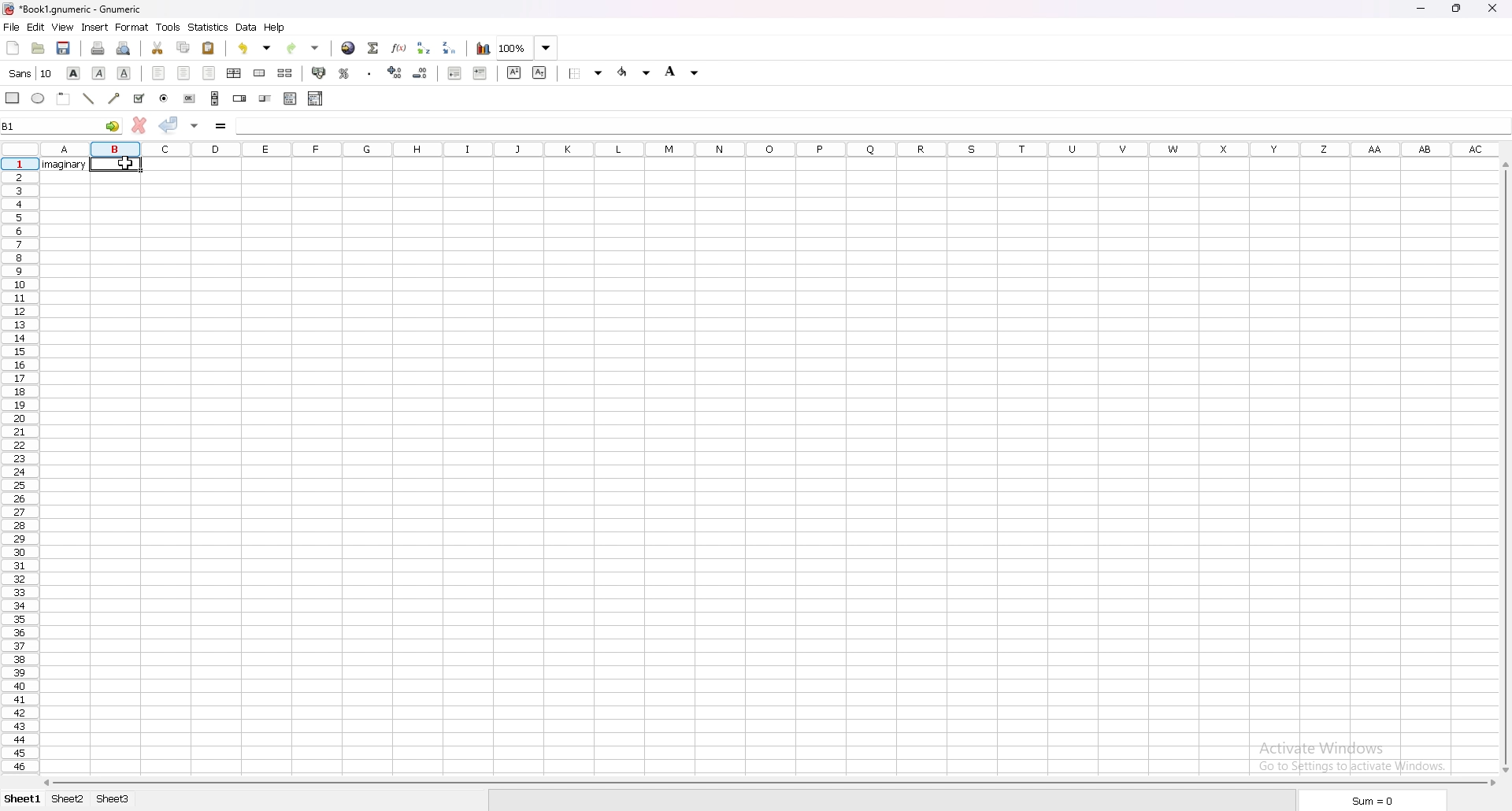 The image size is (1512, 811). What do you see at coordinates (1504, 465) in the screenshot?
I see `scroll bar` at bounding box center [1504, 465].